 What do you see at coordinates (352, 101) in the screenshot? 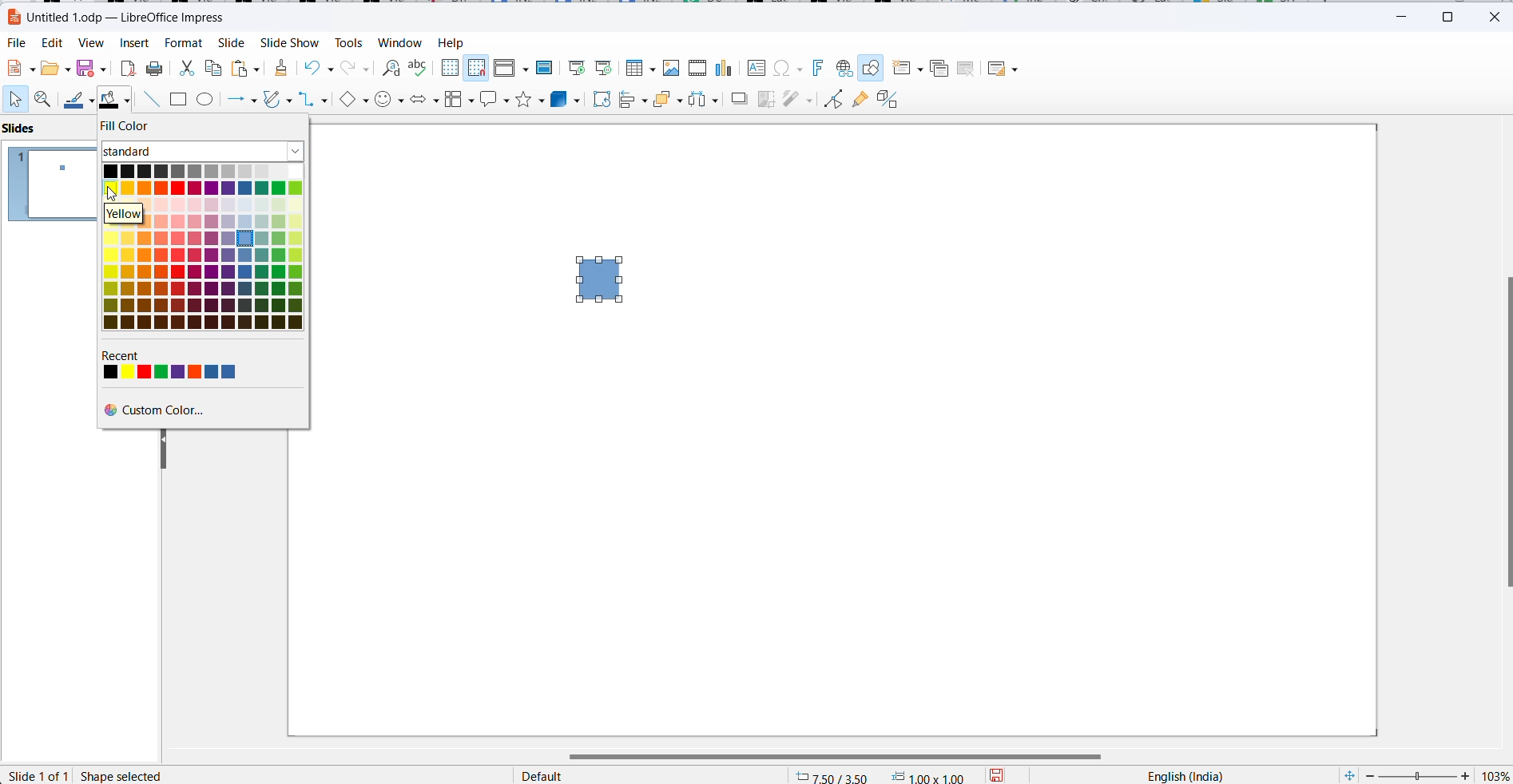
I see `basic shapes` at bounding box center [352, 101].